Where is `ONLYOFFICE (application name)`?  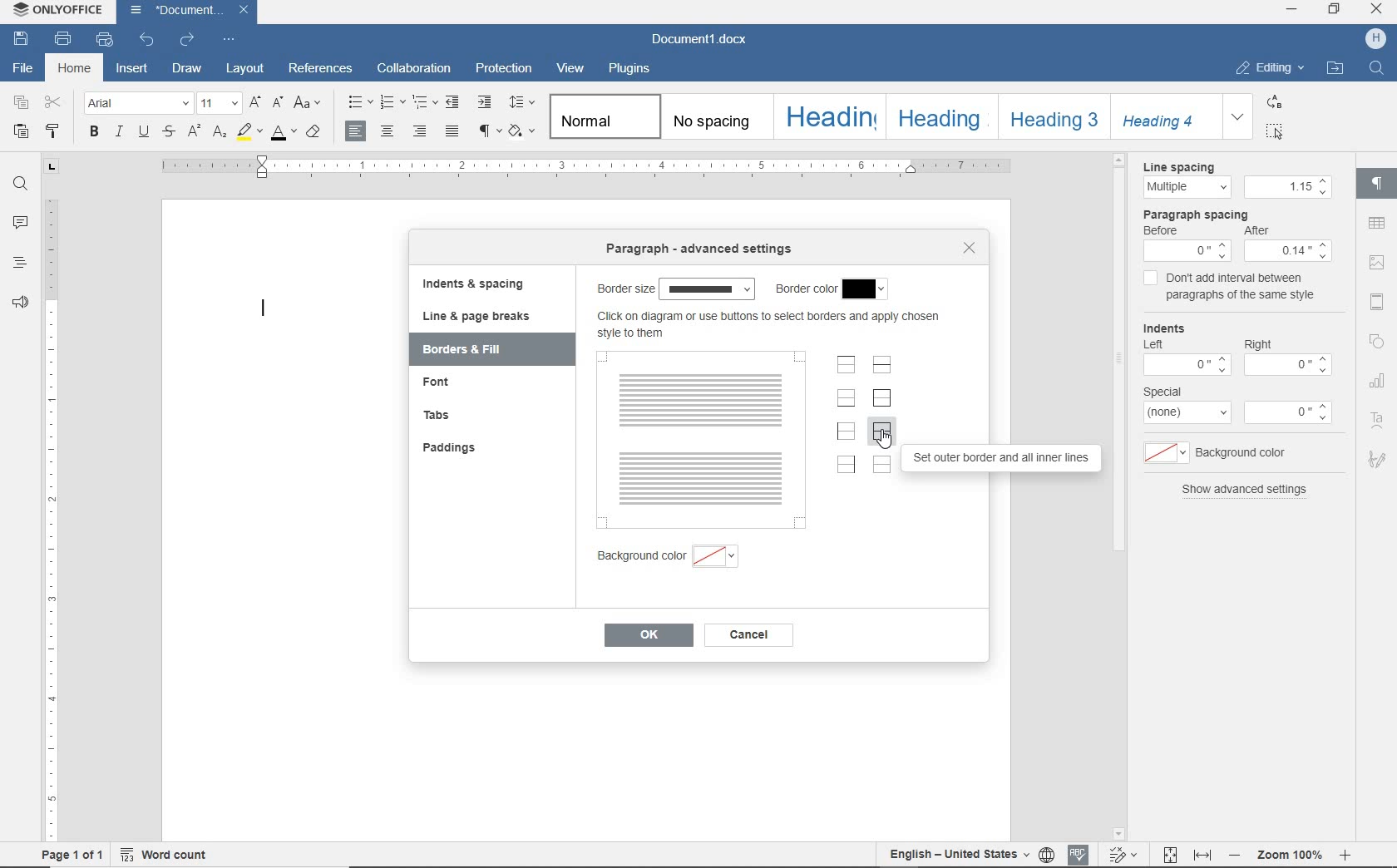 ONLYOFFICE (application name) is located at coordinates (62, 12).